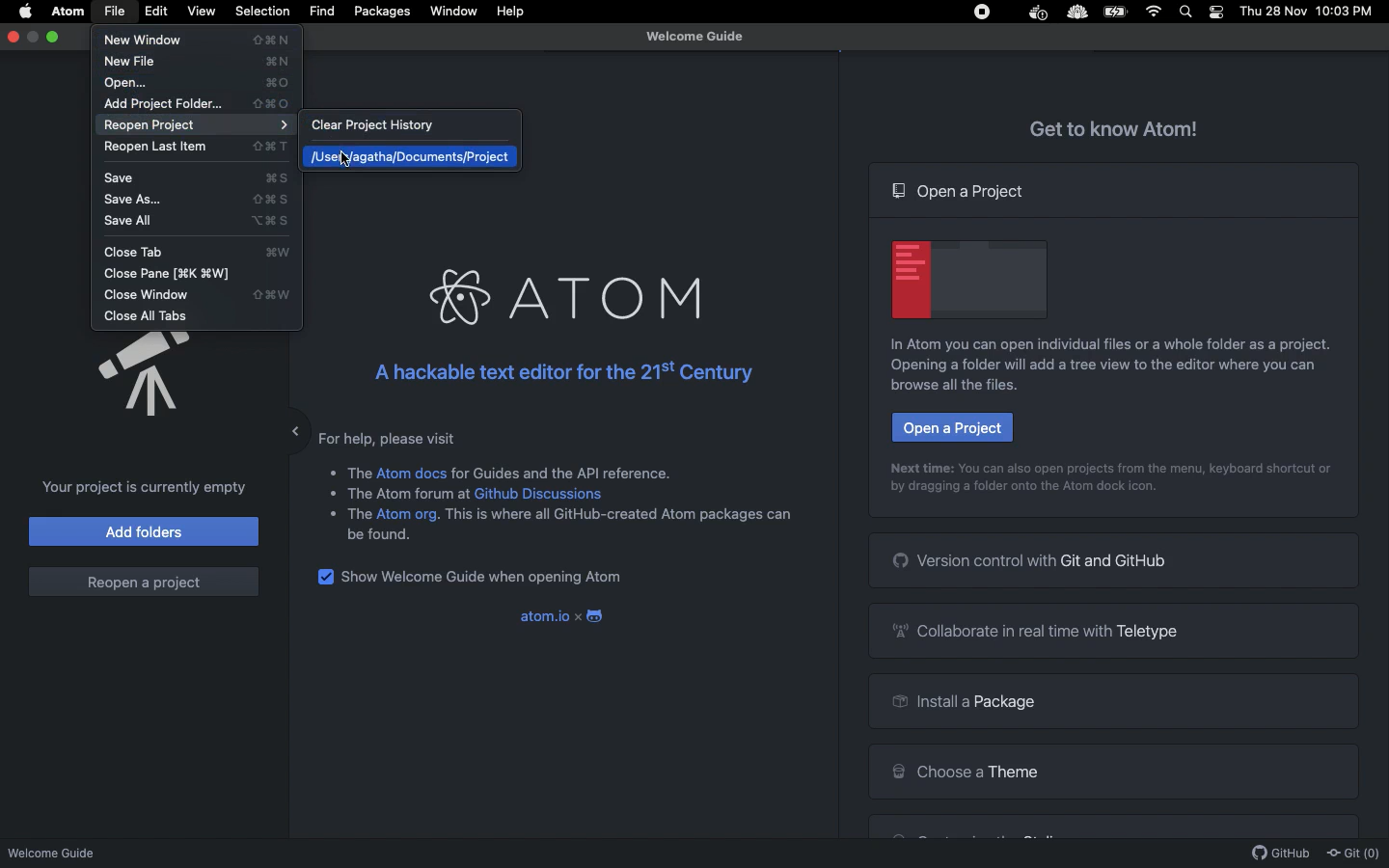  What do you see at coordinates (34, 37) in the screenshot?
I see `minimize` at bounding box center [34, 37].